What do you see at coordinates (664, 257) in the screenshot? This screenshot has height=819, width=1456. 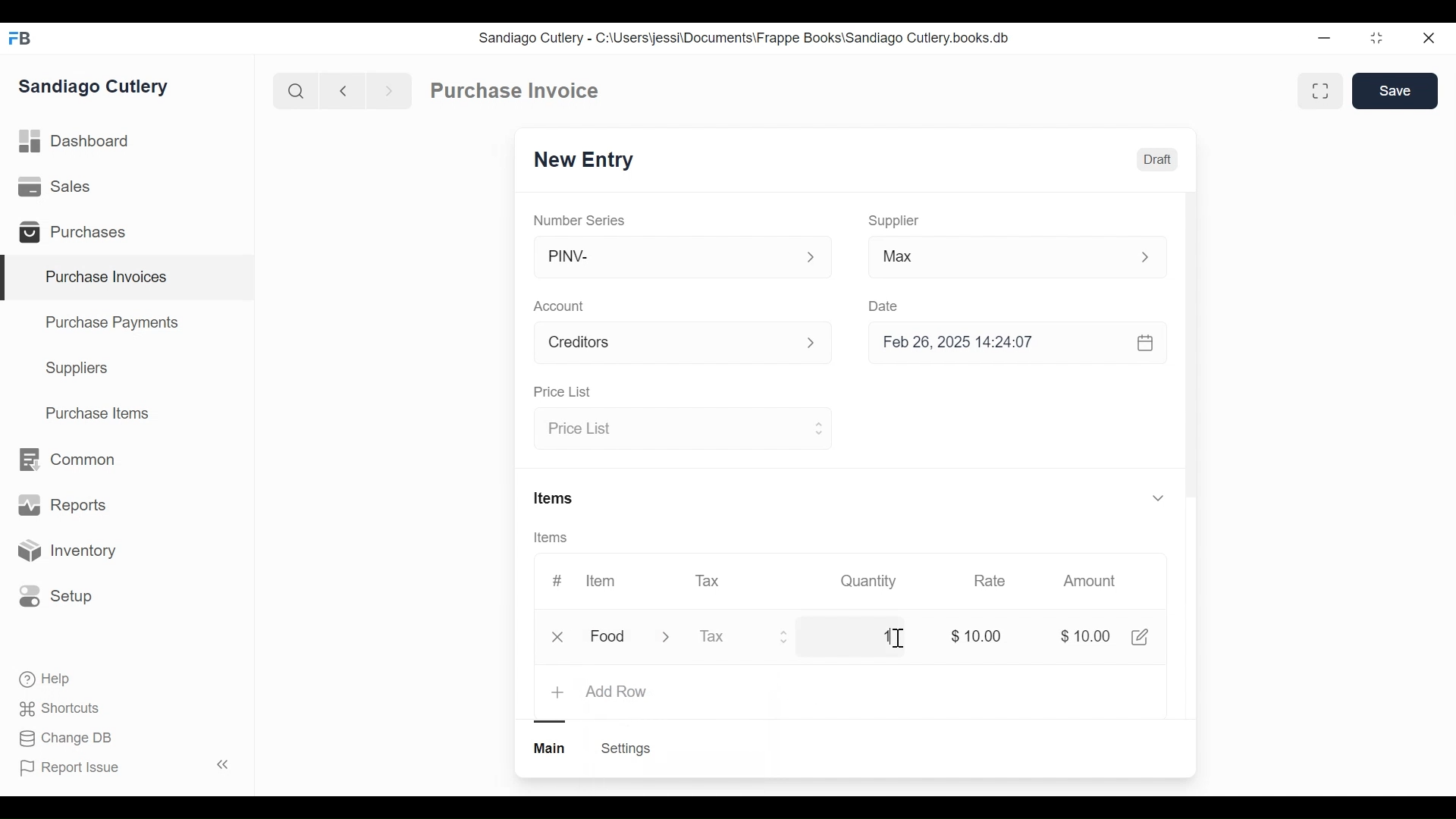 I see `PINV-` at bounding box center [664, 257].